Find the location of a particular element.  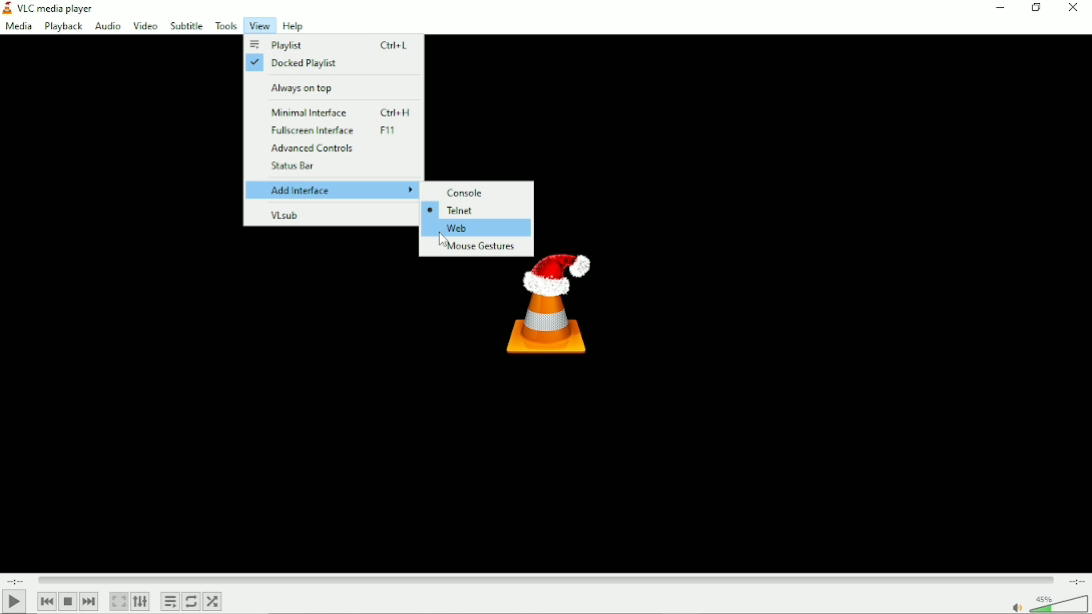

Next is located at coordinates (88, 602).